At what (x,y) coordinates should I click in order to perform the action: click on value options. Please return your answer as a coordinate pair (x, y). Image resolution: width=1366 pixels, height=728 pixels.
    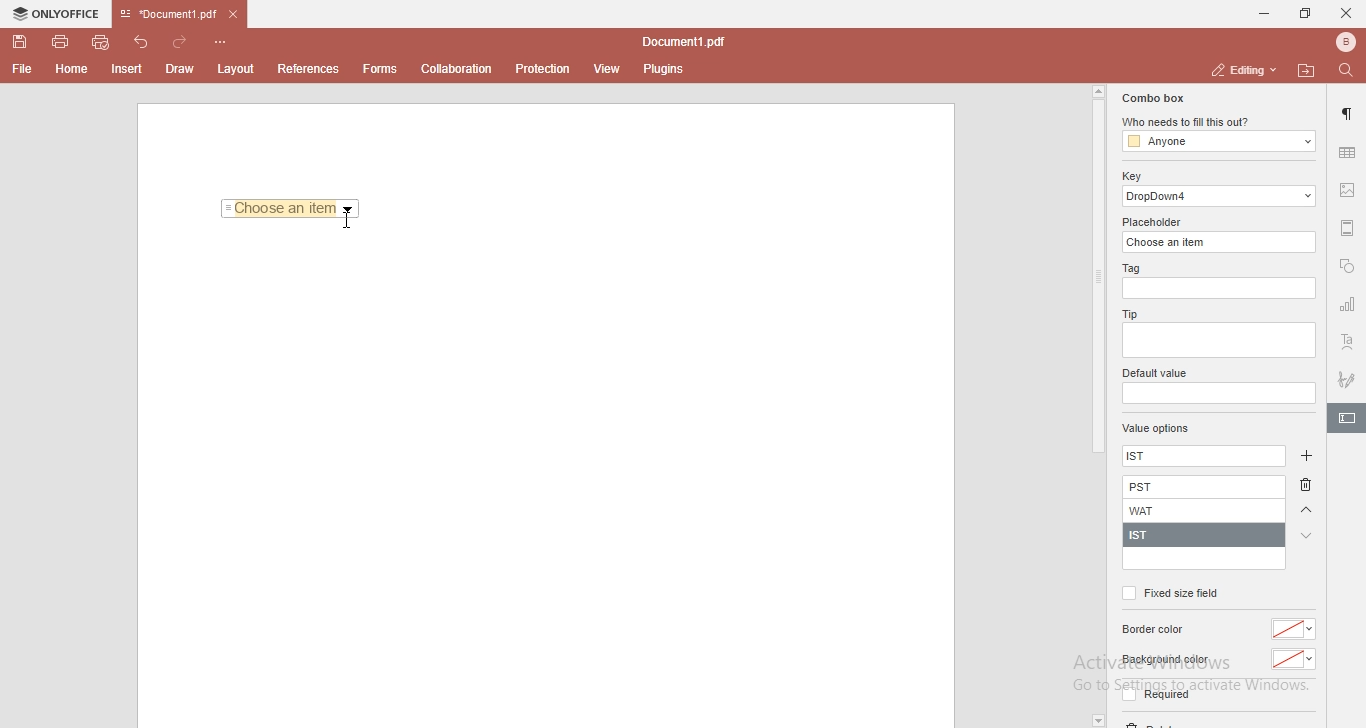
    Looking at the image, I should click on (1156, 430).